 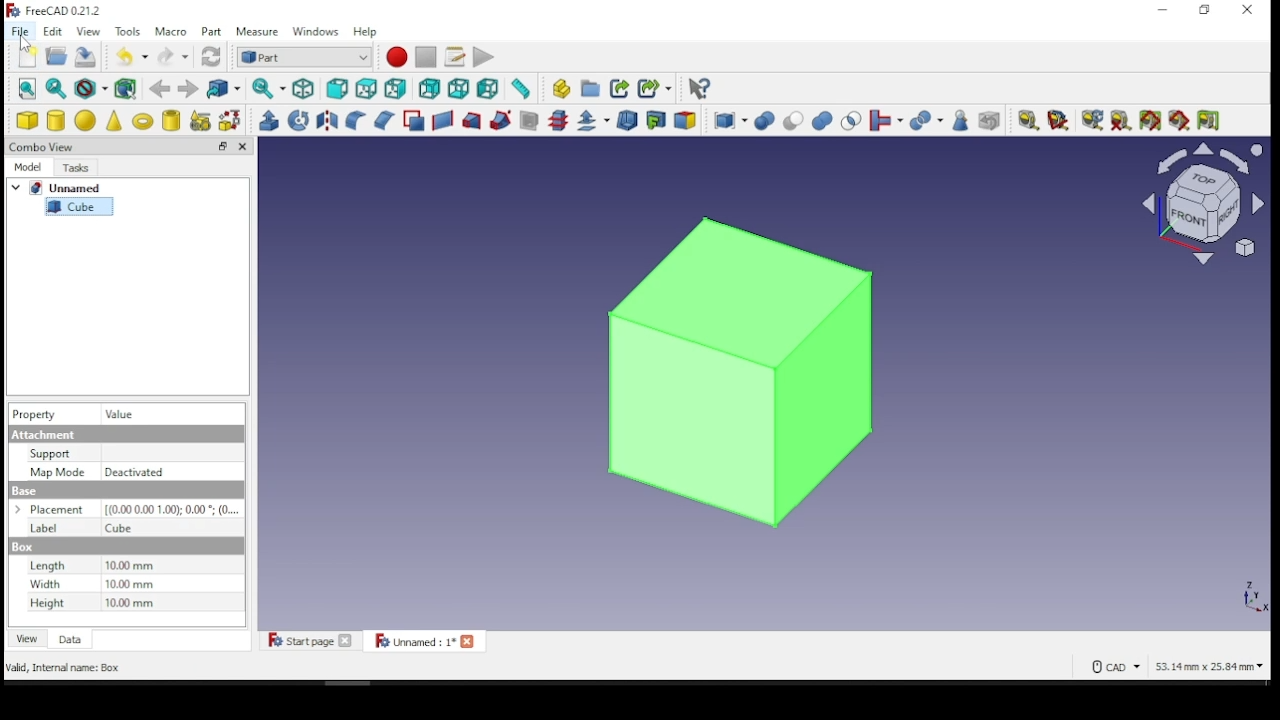 What do you see at coordinates (28, 120) in the screenshot?
I see `cube` at bounding box center [28, 120].